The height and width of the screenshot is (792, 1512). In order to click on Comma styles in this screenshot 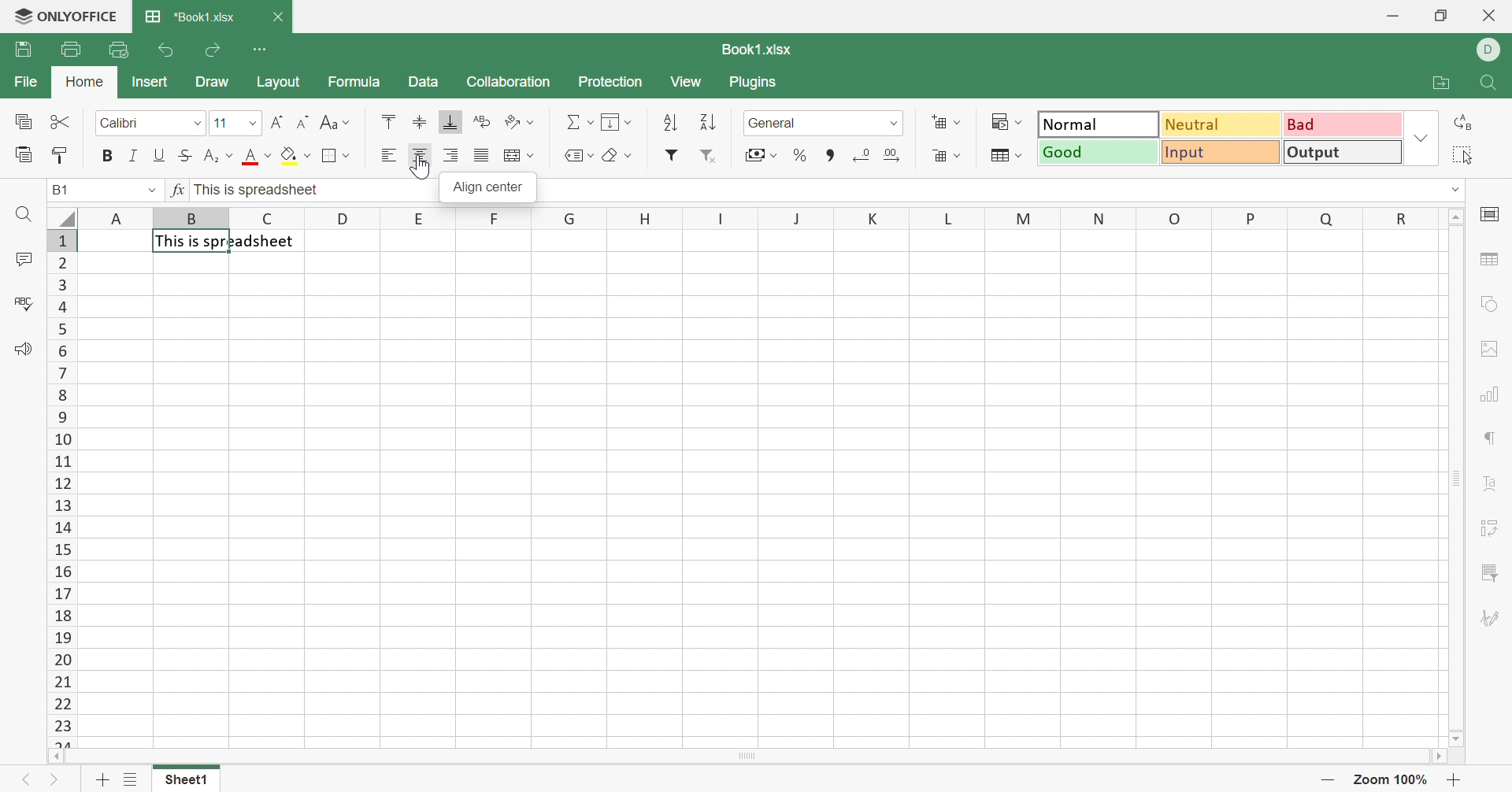, I will do `click(828, 155)`.